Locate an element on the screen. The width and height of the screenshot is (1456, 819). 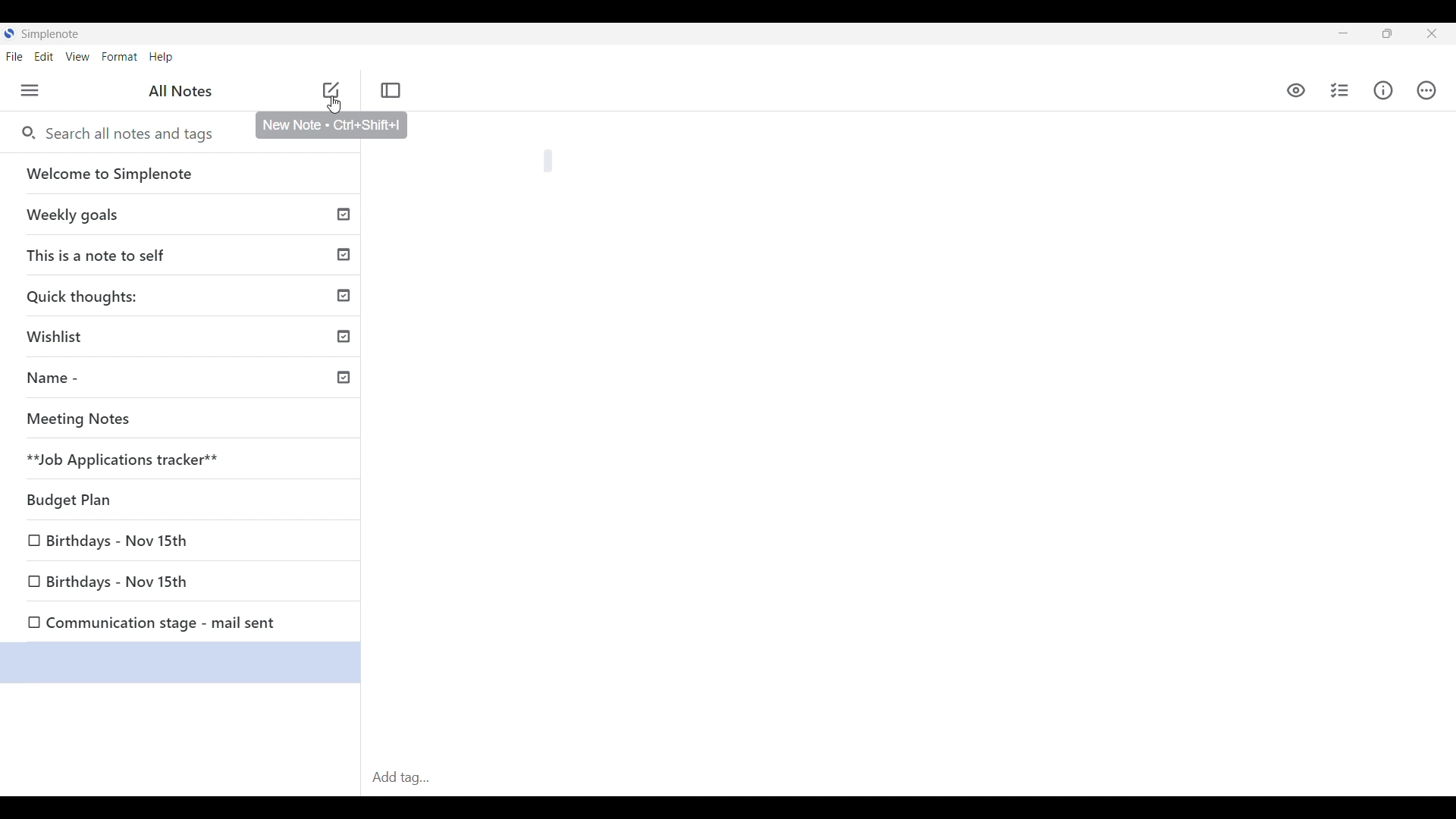
Resize is located at coordinates (1385, 36).